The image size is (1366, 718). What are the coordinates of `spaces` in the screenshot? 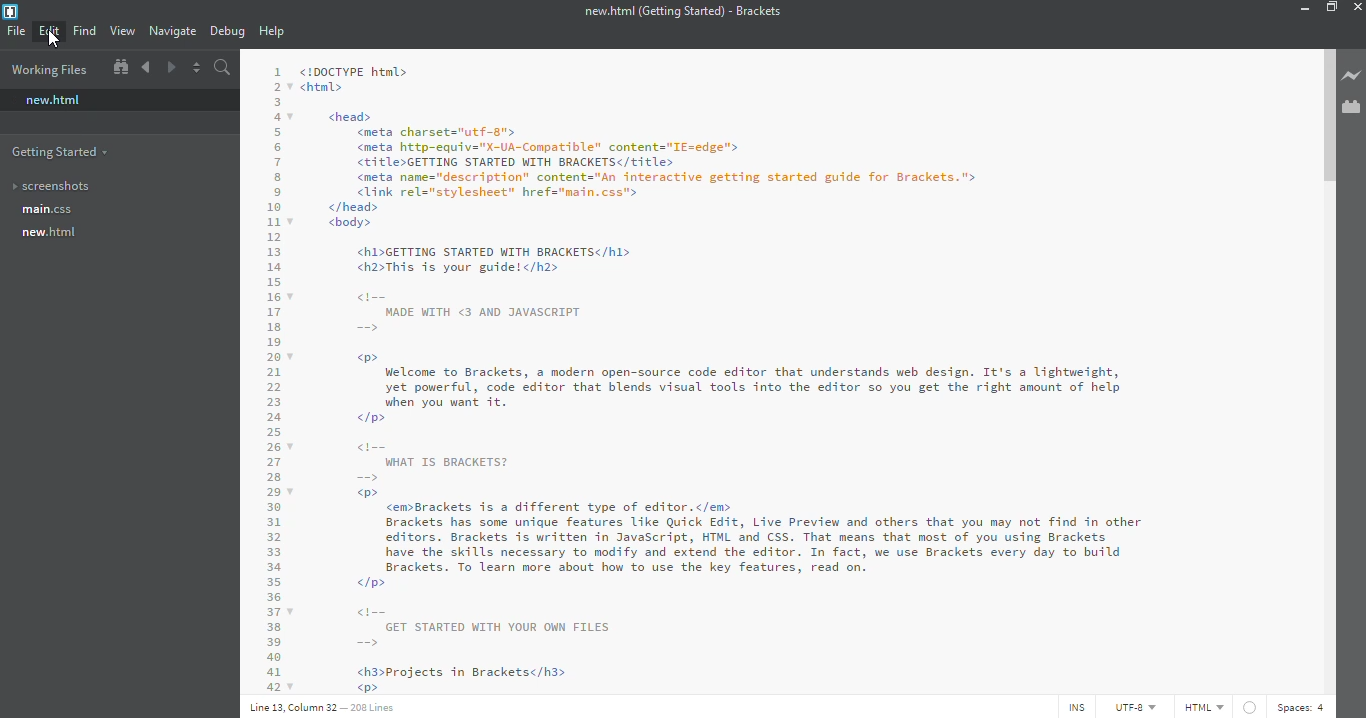 It's located at (1303, 707).